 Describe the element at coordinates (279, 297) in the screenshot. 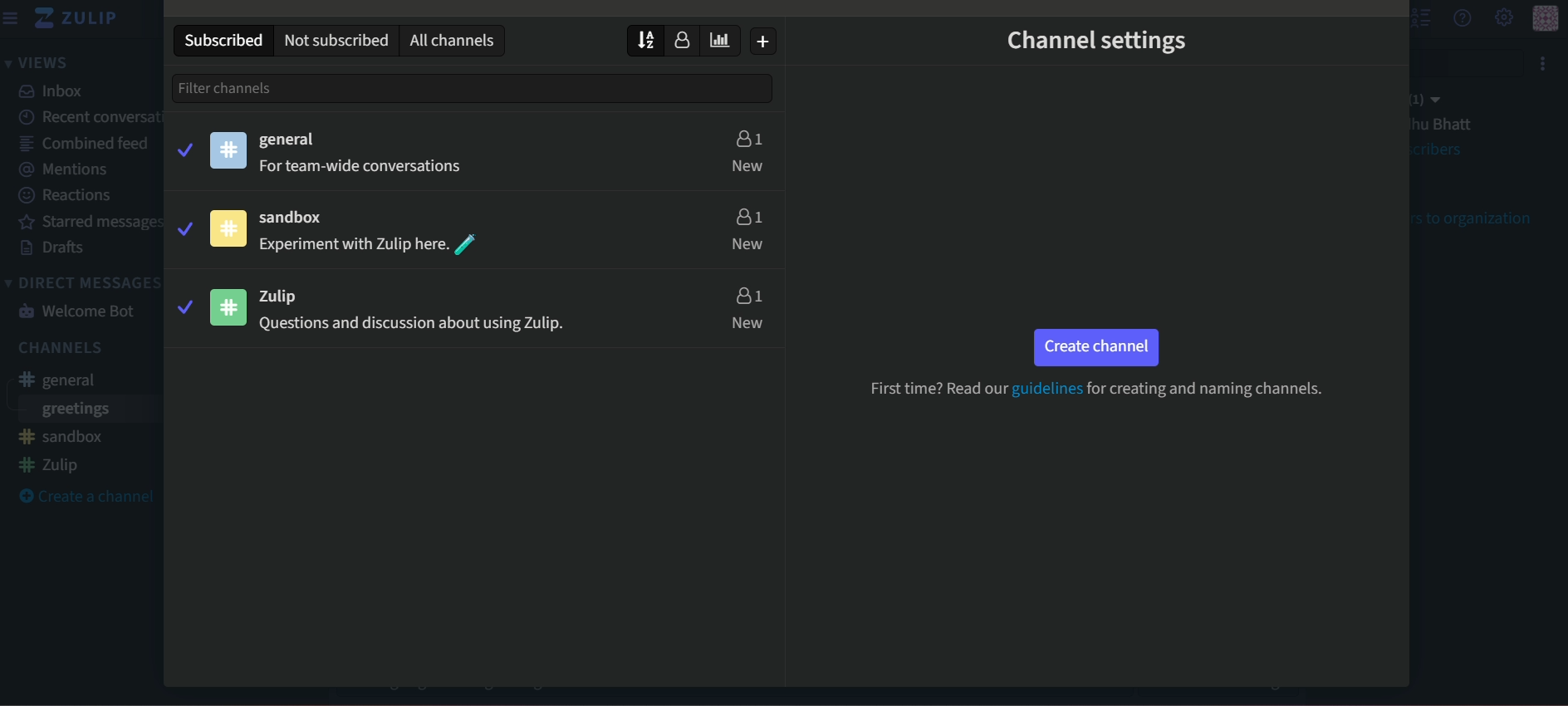

I see `zulip` at that location.